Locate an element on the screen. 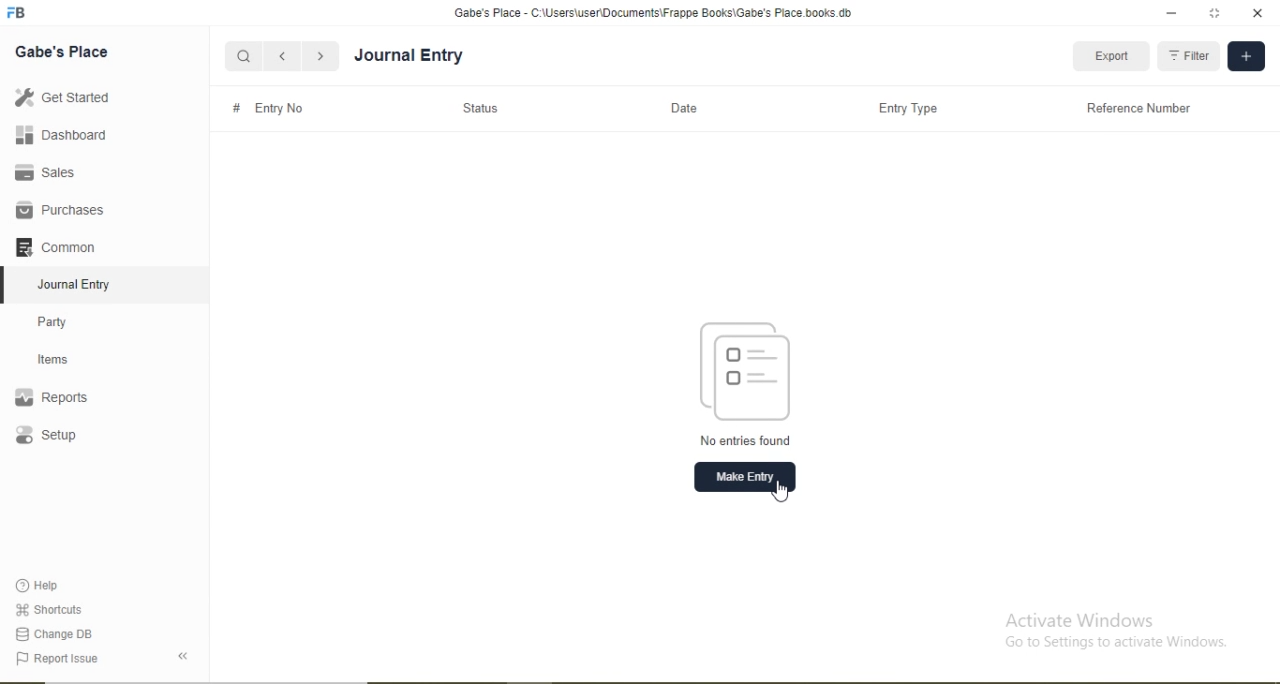  Entry No is located at coordinates (281, 107).